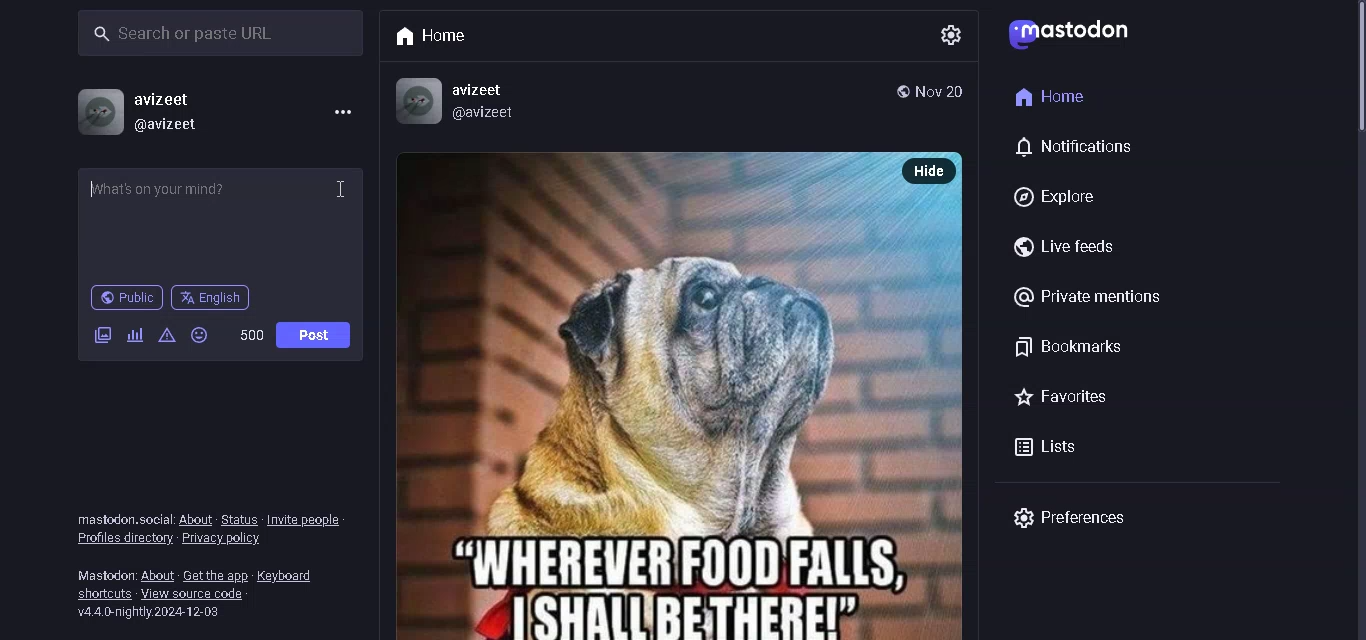 Image resolution: width=1366 pixels, height=640 pixels. I want to click on home, so click(1047, 94).